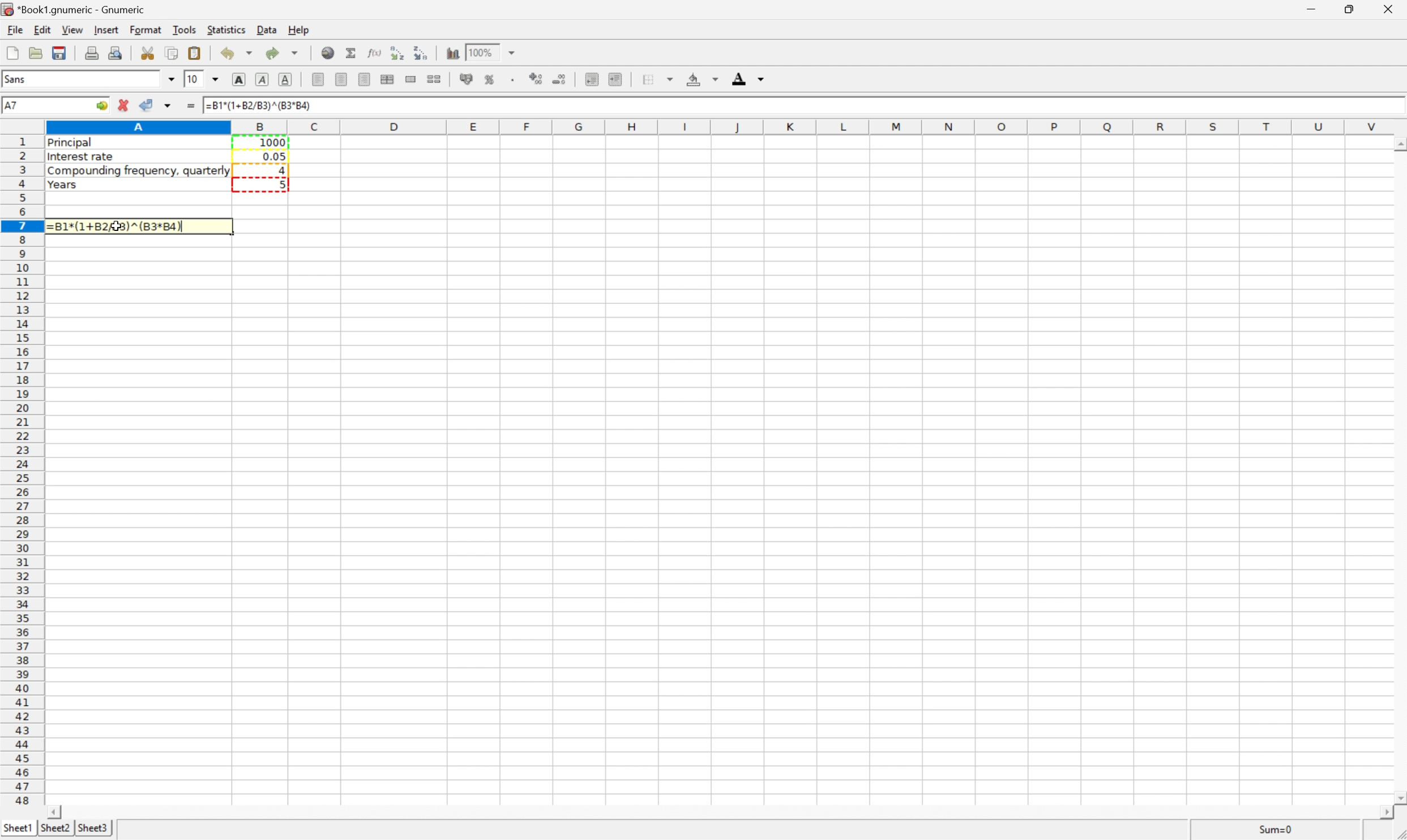 The height and width of the screenshot is (840, 1407). I want to click on minimize, so click(1314, 9).